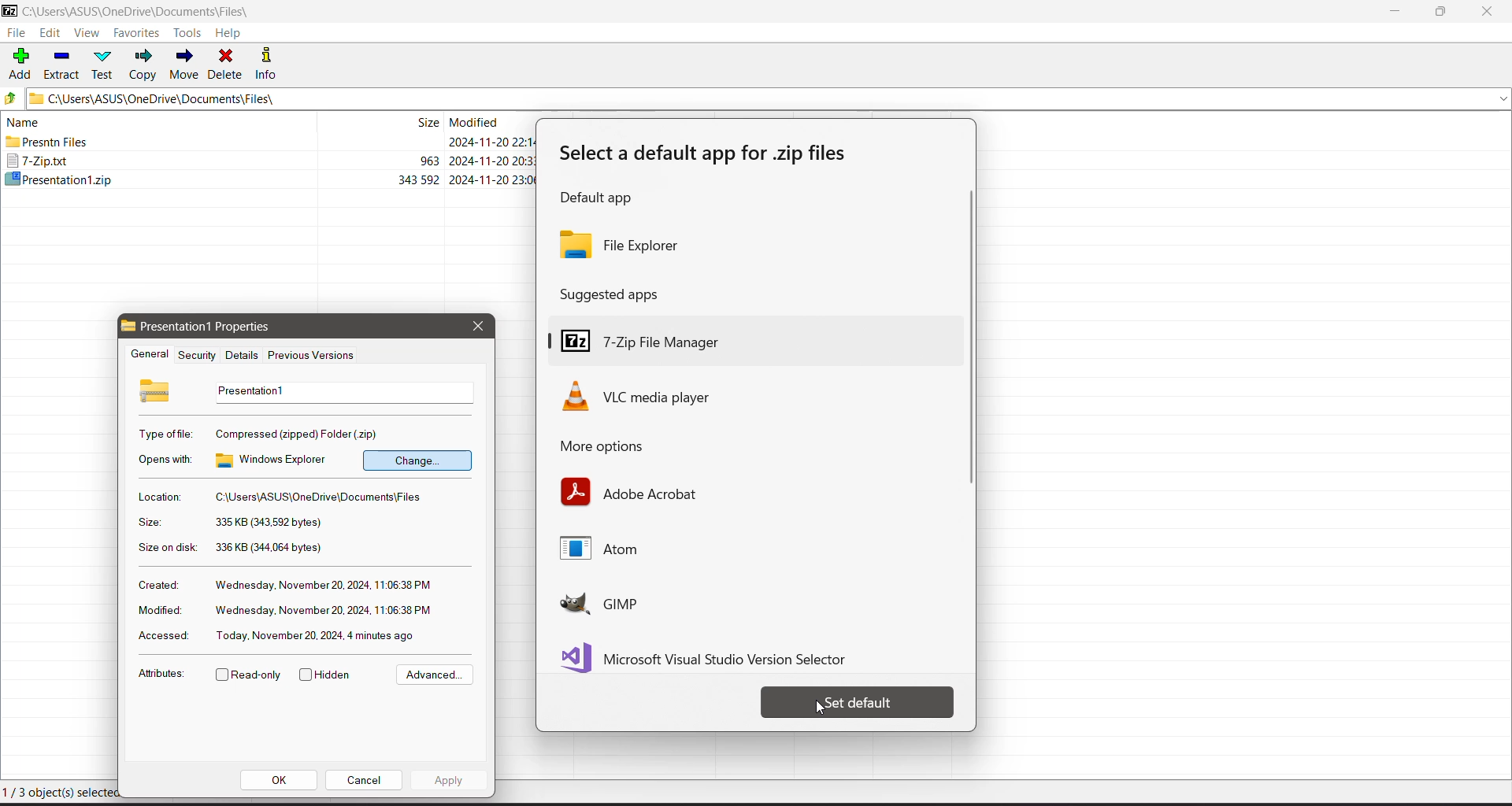 This screenshot has width=1512, height=806. Describe the element at coordinates (268, 523) in the screenshot. I see `Selected file size` at that location.